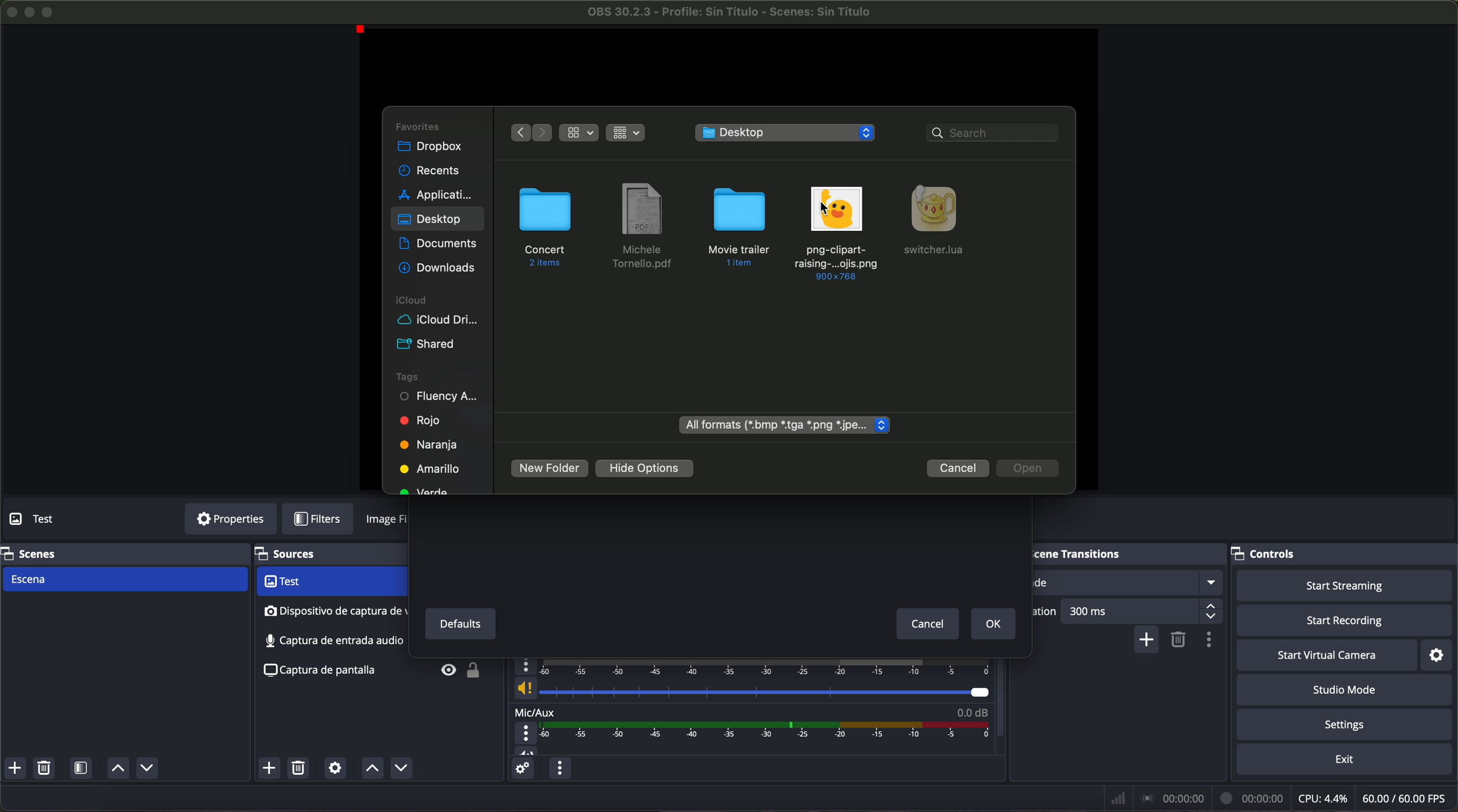  Describe the element at coordinates (993, 625) in the screenshot. I see `OK` at that location.